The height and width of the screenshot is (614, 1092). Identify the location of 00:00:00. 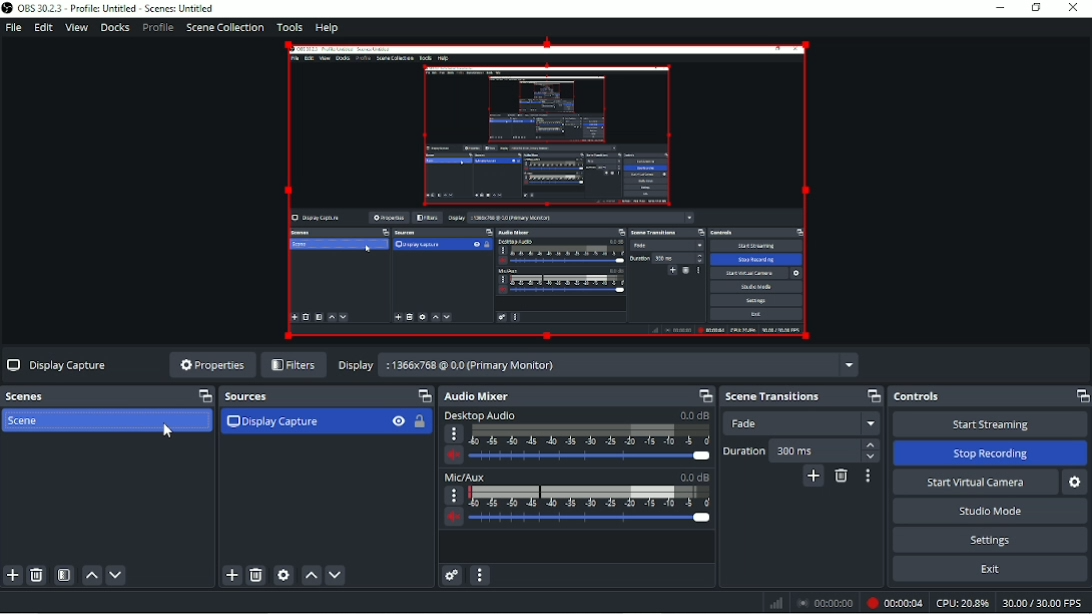
(825, 604).